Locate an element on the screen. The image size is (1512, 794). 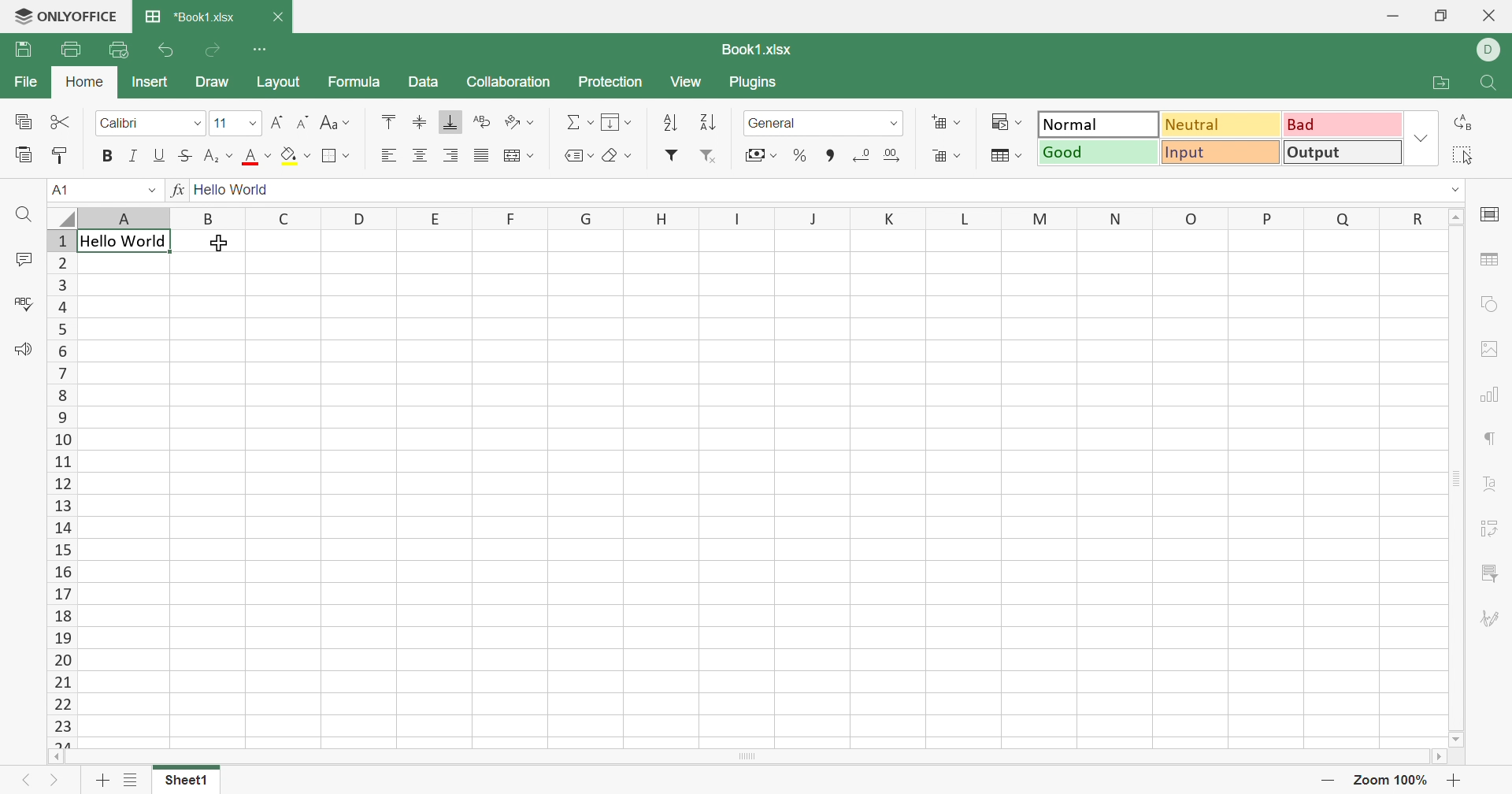
Delete cells is located at coordinates (947, 155).